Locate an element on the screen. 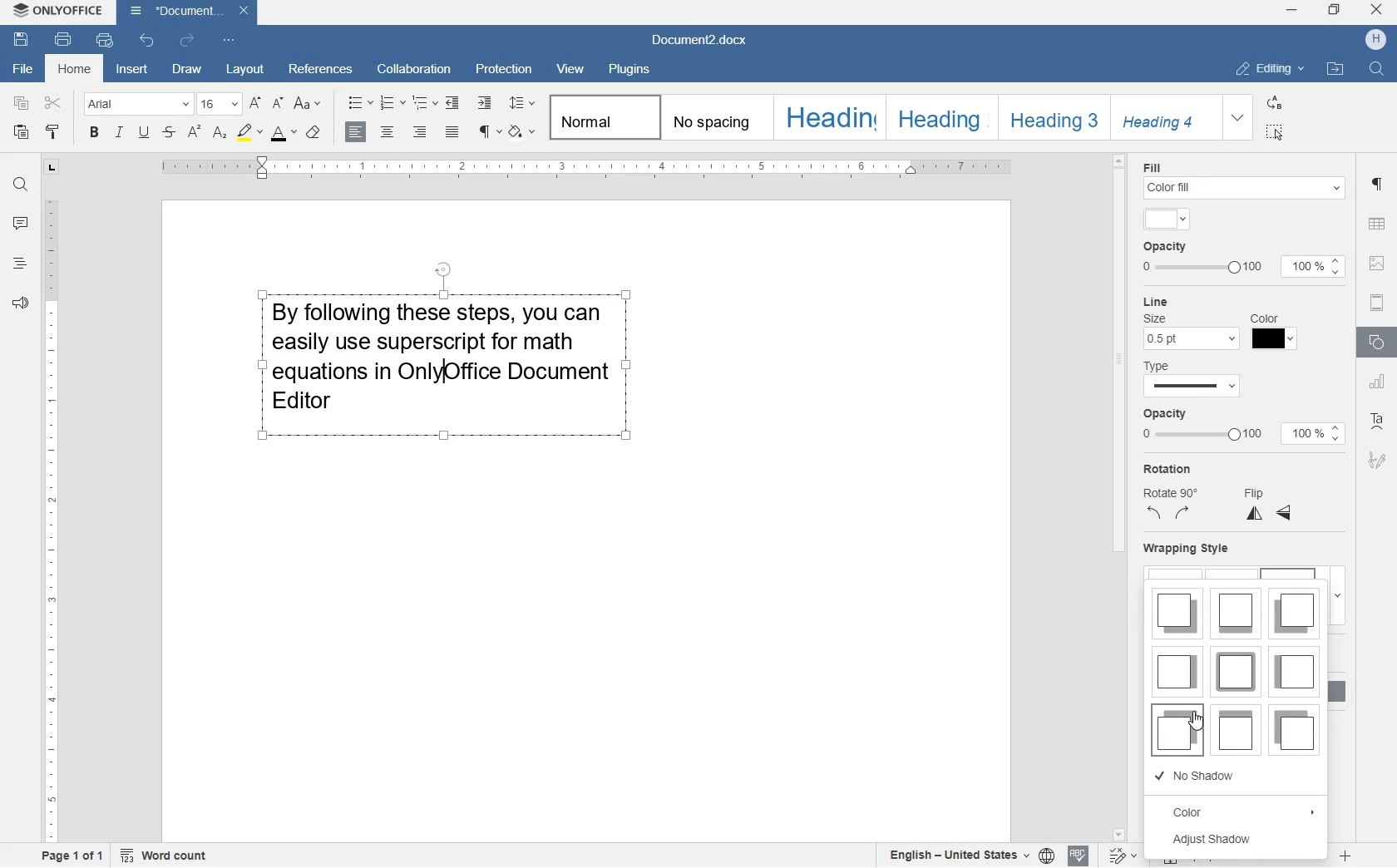  chart is located at coordinates (1377, 382).